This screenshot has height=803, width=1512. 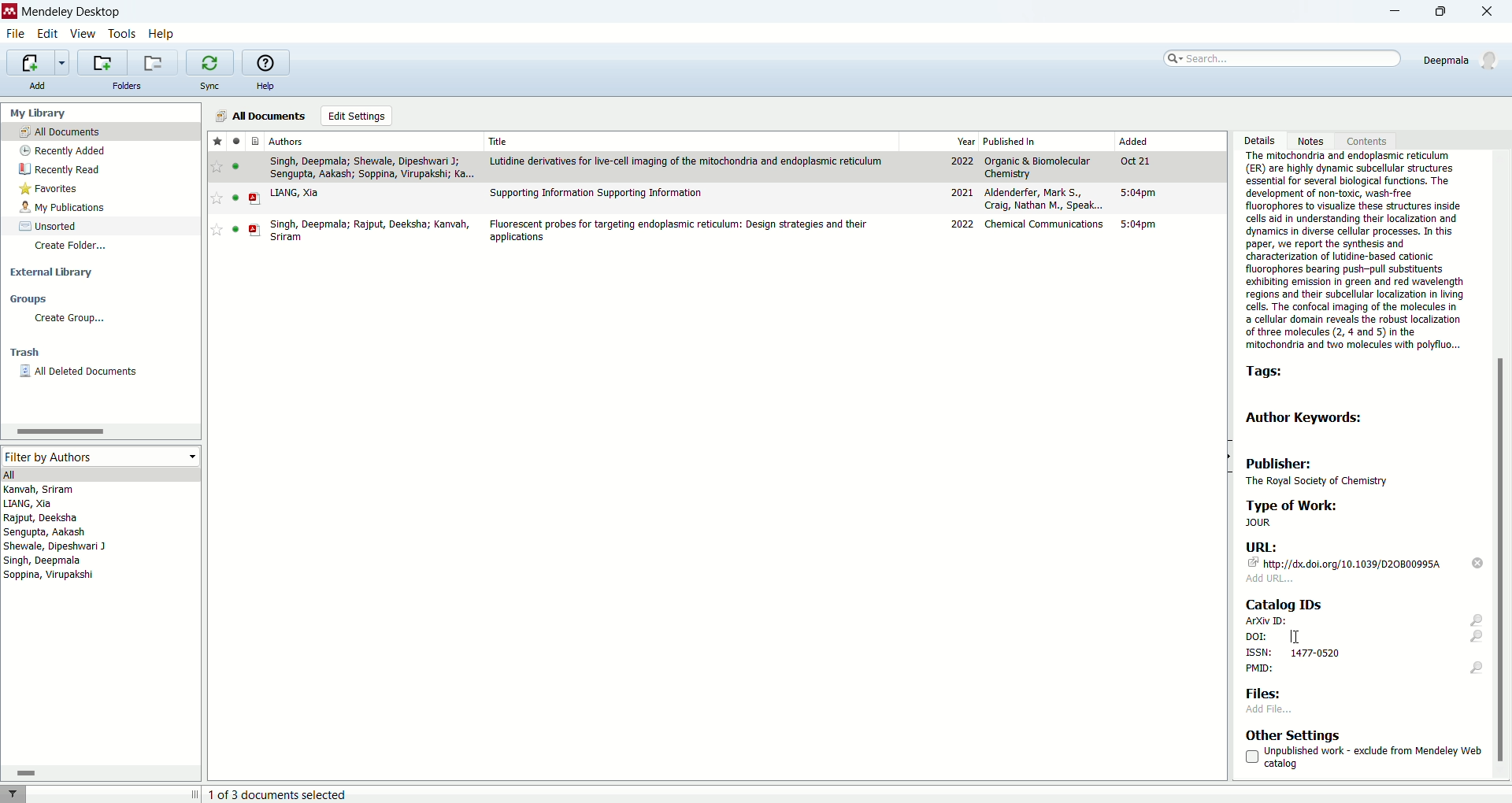 What do you see at coordinates (152, 62) in the screenshot?
I see `remove current folder` at bounding box center [152, 62].